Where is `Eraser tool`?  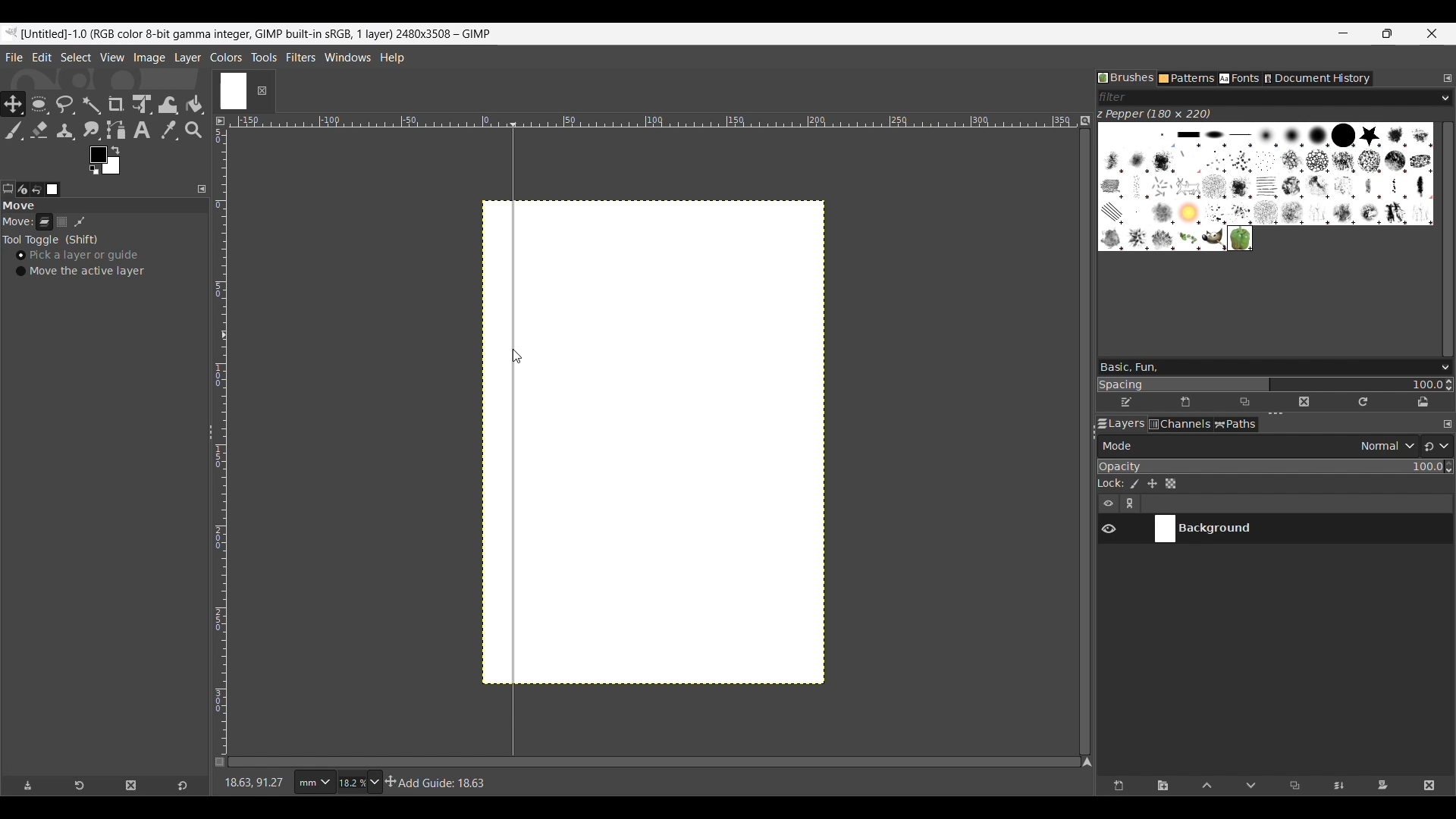
Eraser tool is located at coordinates (38, 130).